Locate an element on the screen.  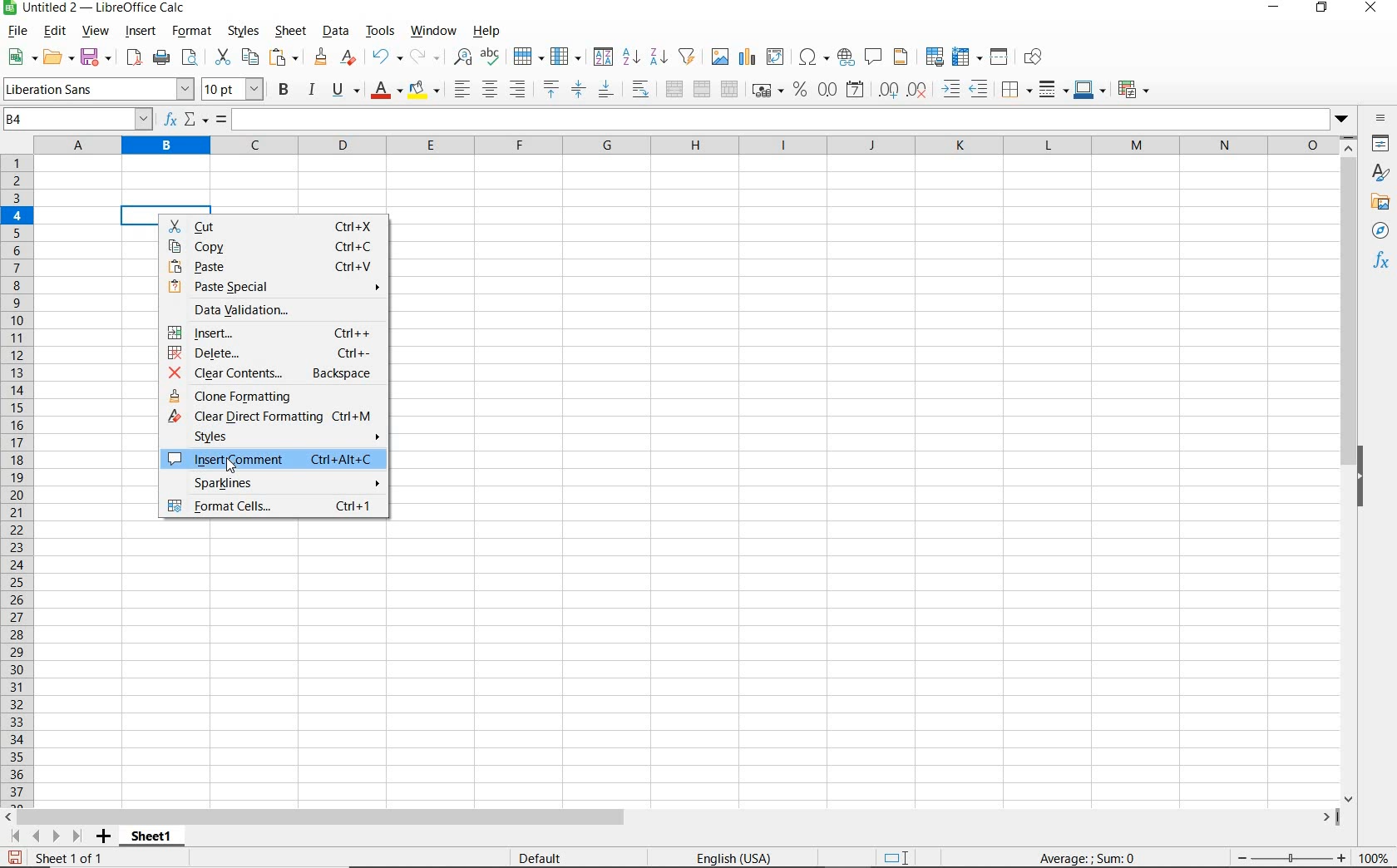
styles is located at coordinates (247, 31).